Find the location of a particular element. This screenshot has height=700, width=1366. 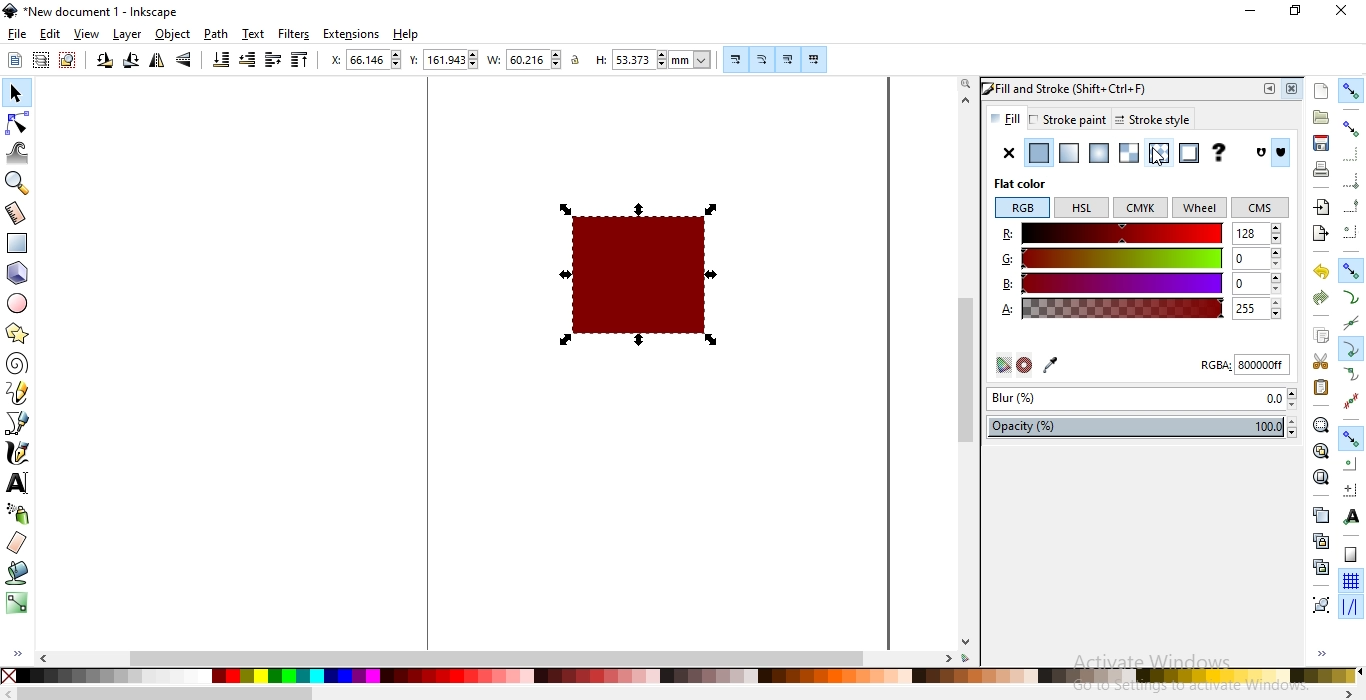

color is located at coordinates (679, 676).